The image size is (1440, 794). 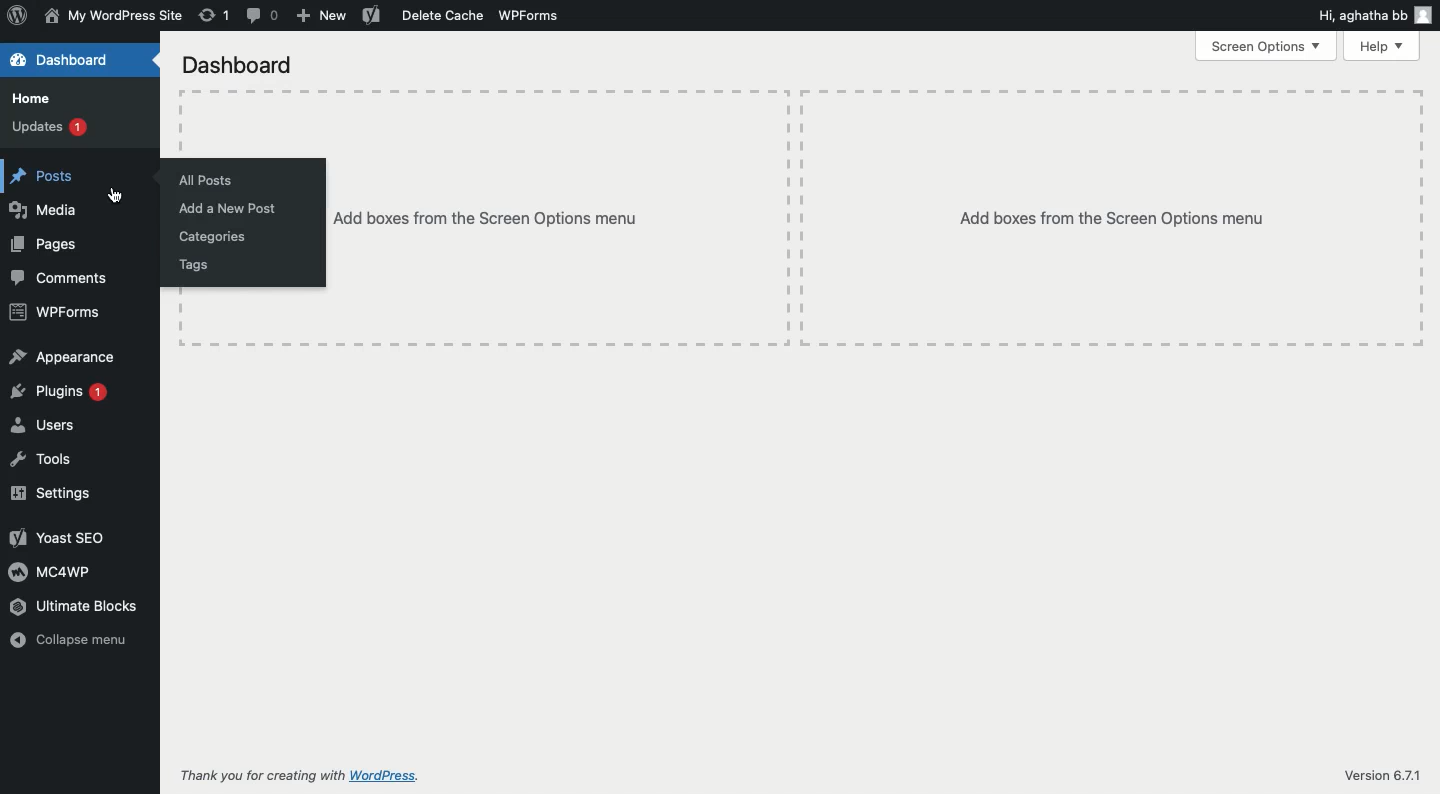 What do you see at coordinates (320, 16) in the screenshot?
I see `New` at bounding box center [320, 16].